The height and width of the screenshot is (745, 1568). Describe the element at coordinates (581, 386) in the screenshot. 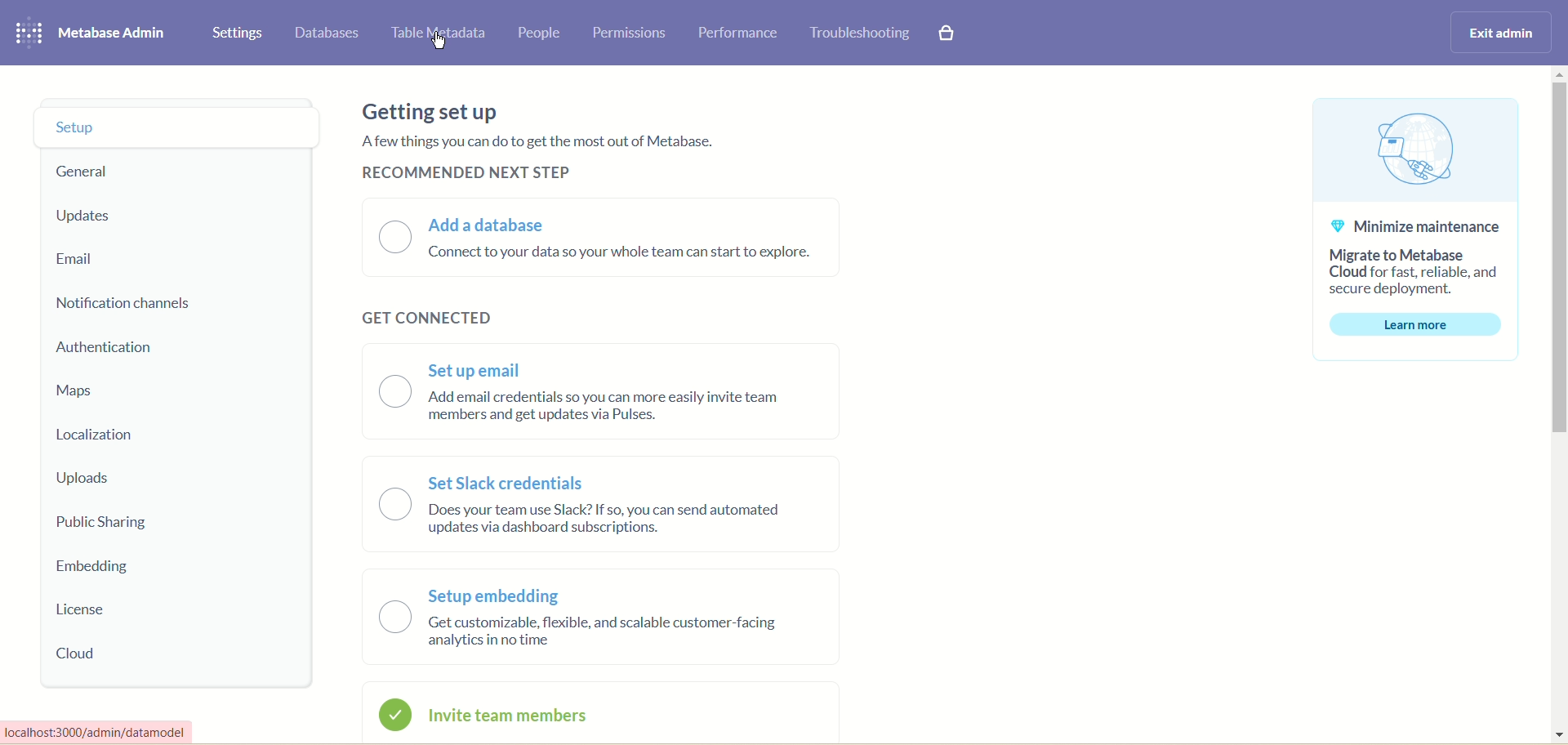

I see `Set up email Add email credentials so you can more easily invite teammembers and get updates via Pulses.` at that location.